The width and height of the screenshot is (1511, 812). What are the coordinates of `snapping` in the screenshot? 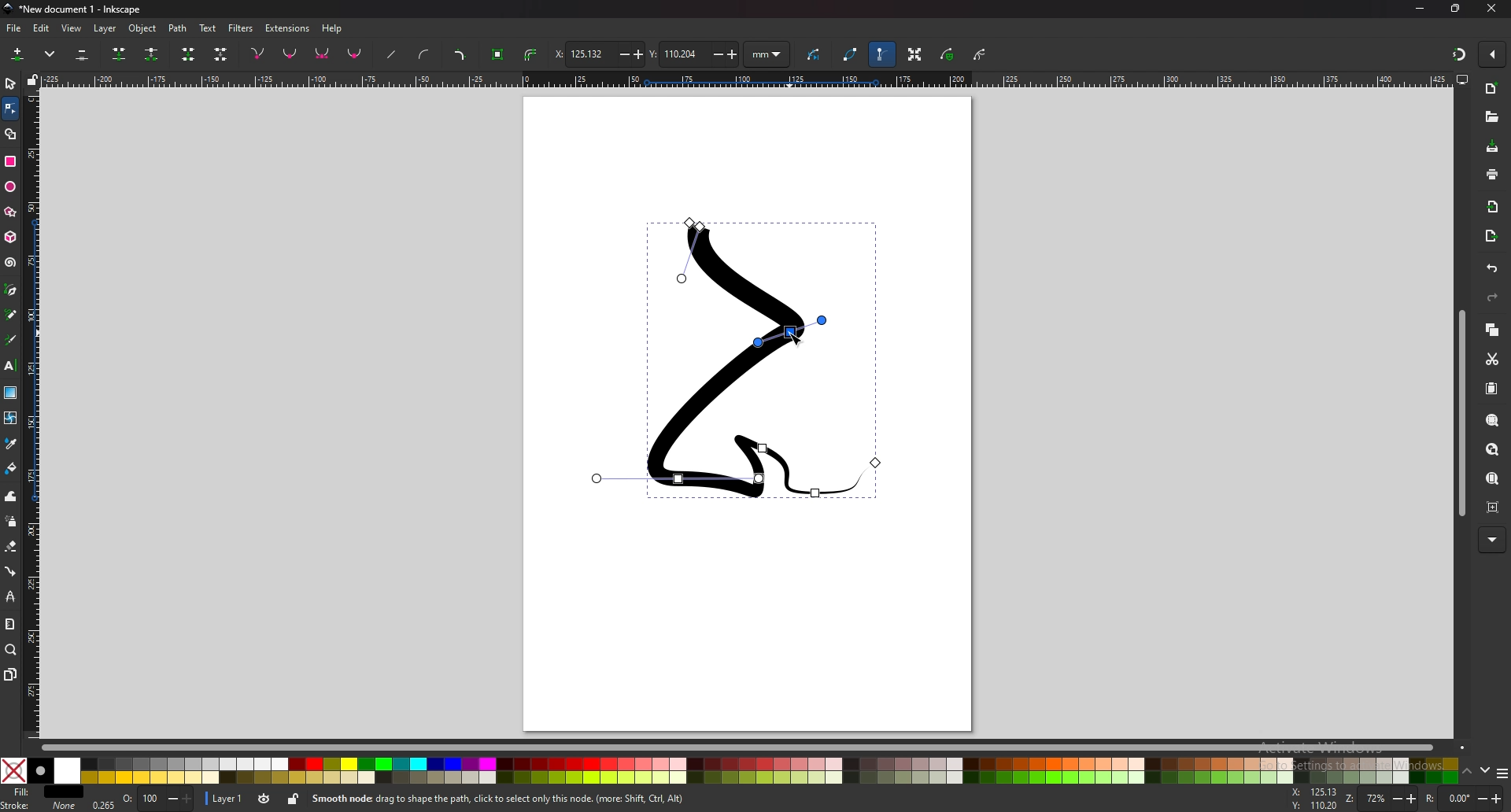 It's located at (1457, 52).